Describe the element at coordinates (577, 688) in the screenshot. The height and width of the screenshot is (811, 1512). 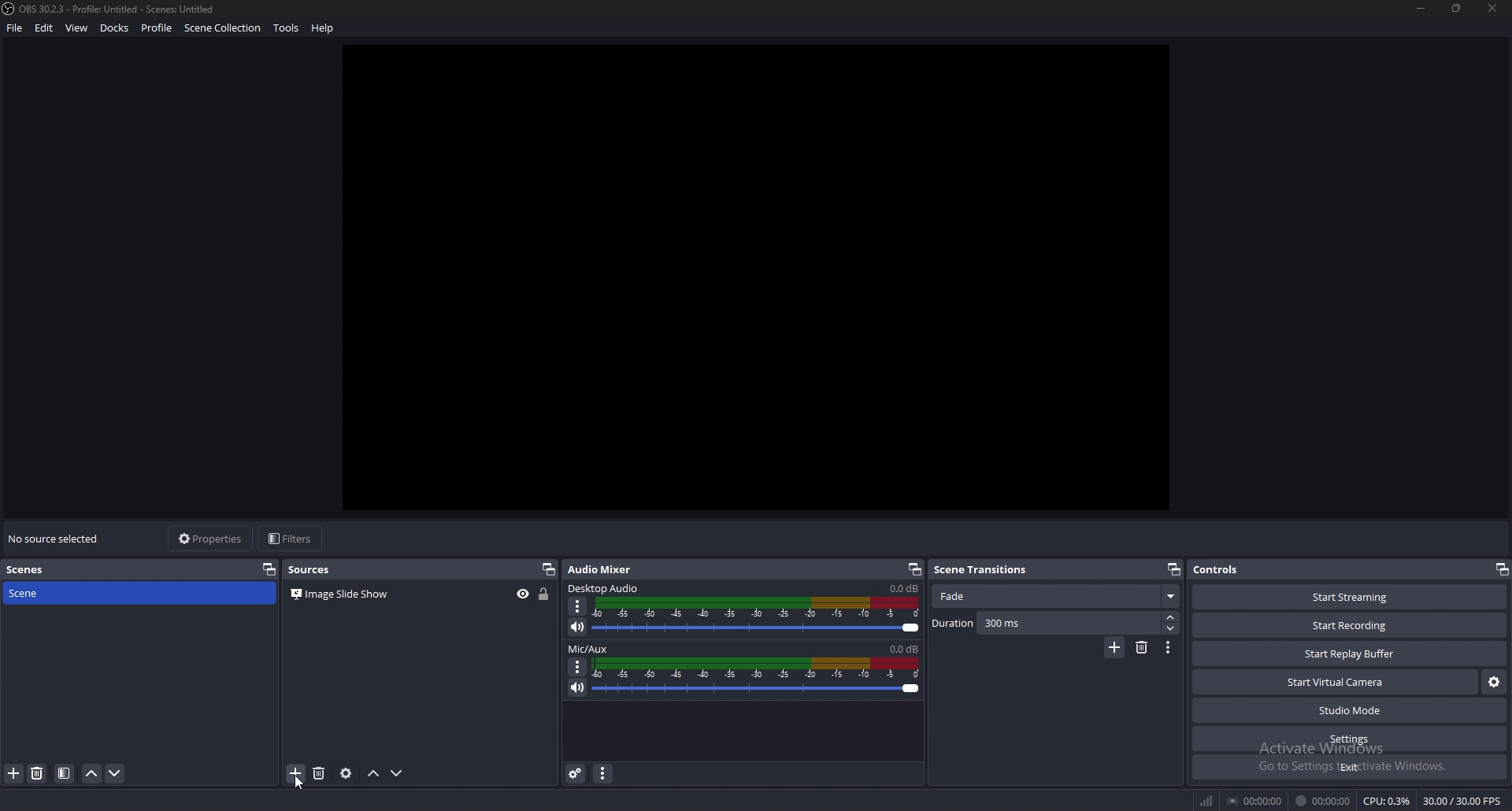
I see `mute` at that location.